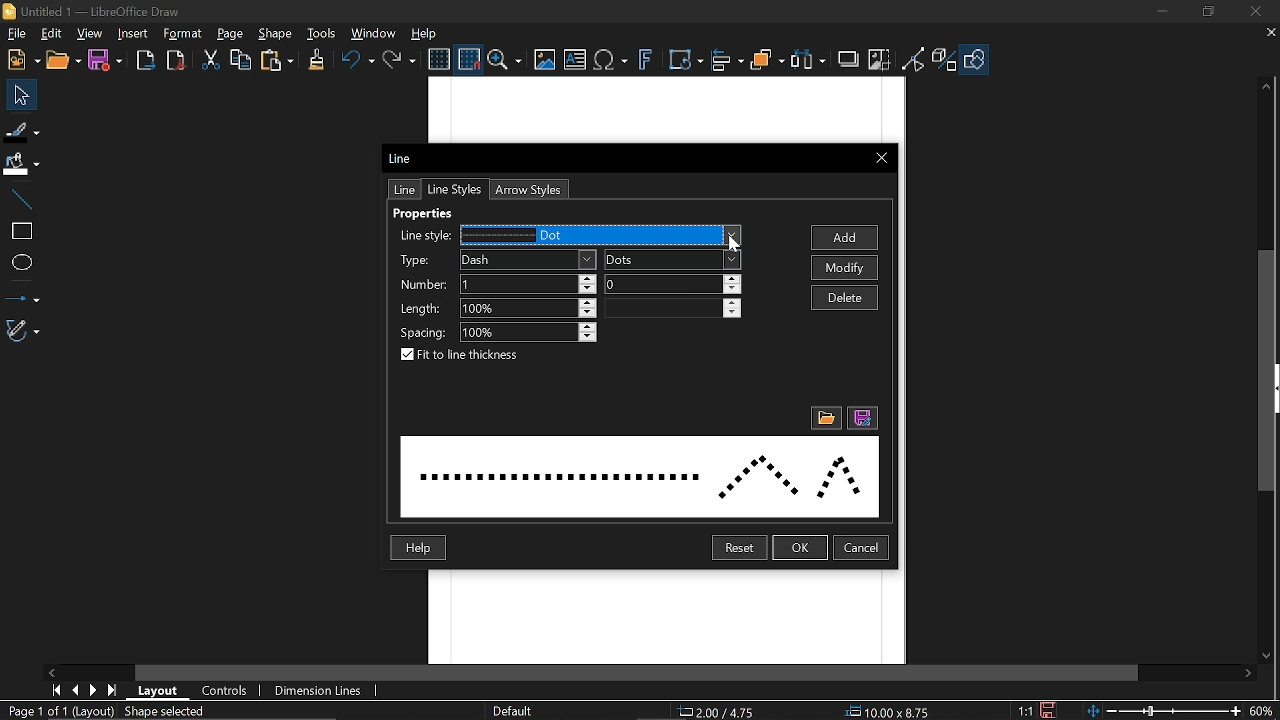 The width and height of the screenshot is (1280, 720). Describe the element at coordinates (176, 60) in the screenshot. I see `Export to pdf` at that location.